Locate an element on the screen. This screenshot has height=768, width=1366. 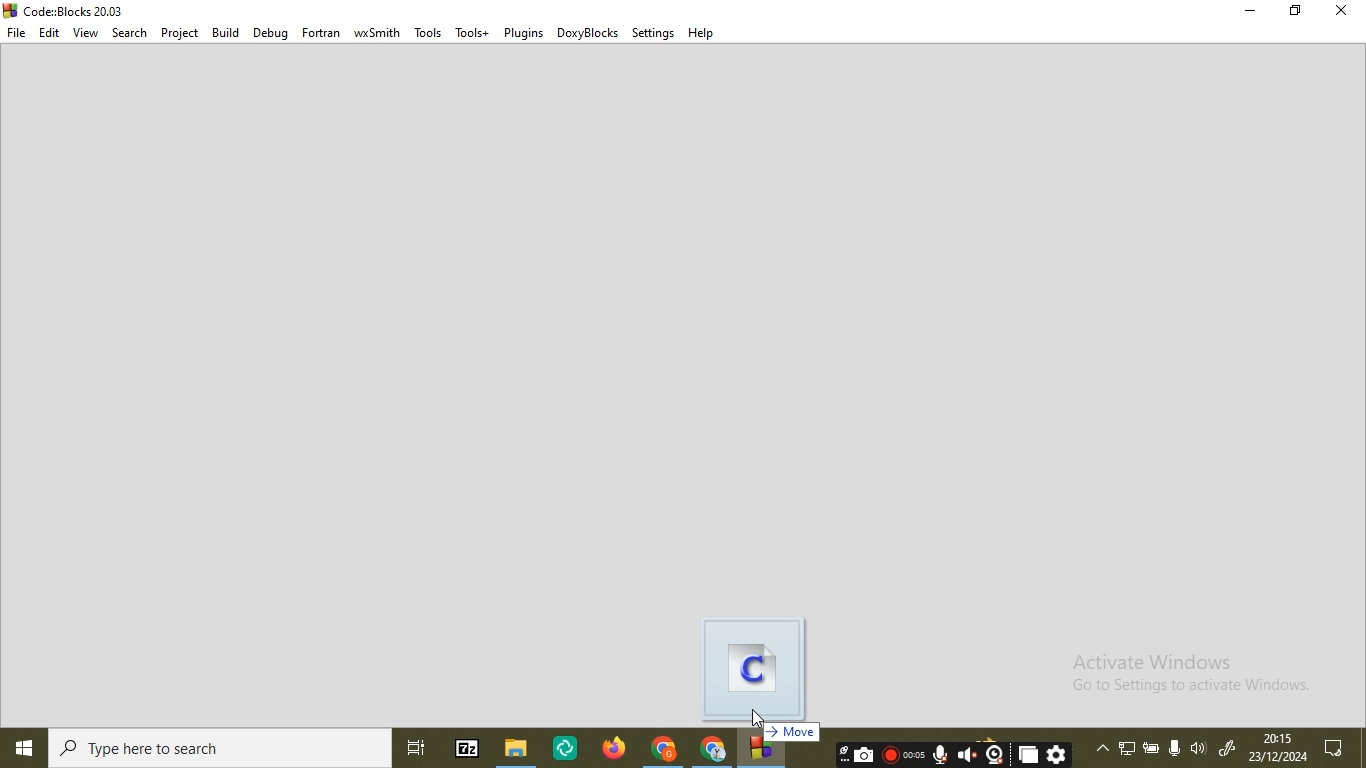
tools+ is located at coordinates (471, 31).